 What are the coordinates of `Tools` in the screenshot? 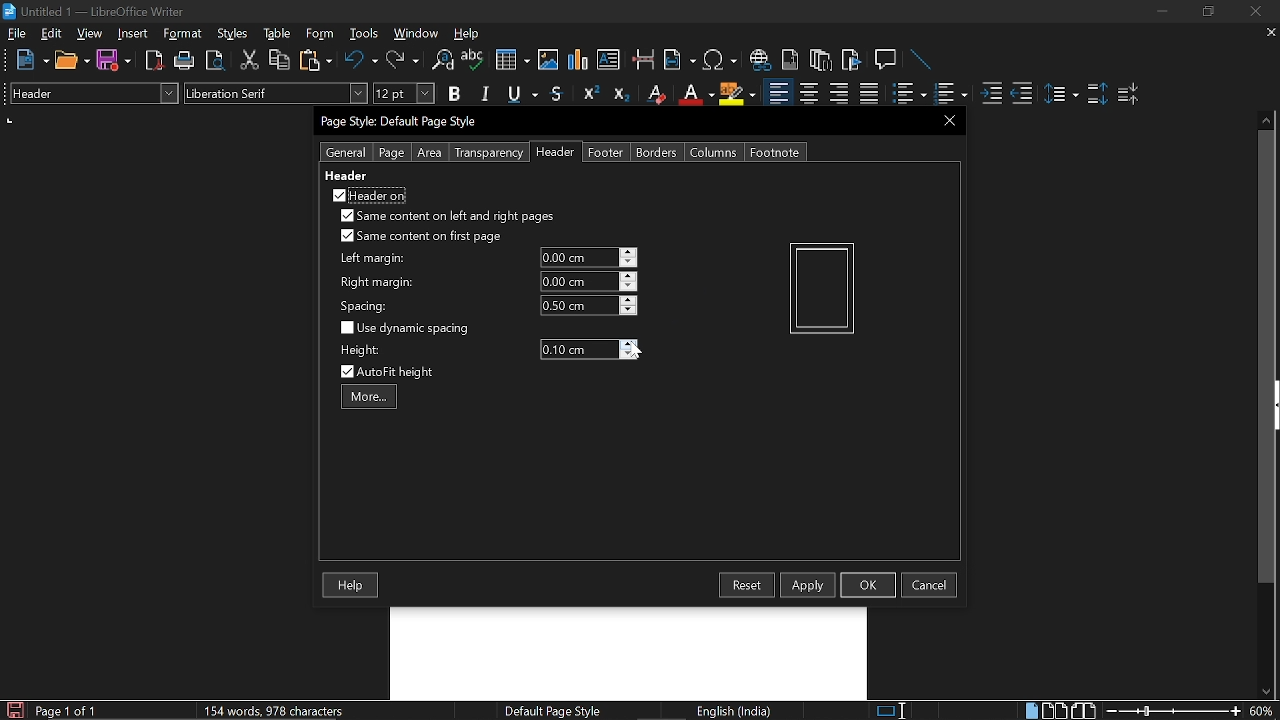 It's located at (364, 34).